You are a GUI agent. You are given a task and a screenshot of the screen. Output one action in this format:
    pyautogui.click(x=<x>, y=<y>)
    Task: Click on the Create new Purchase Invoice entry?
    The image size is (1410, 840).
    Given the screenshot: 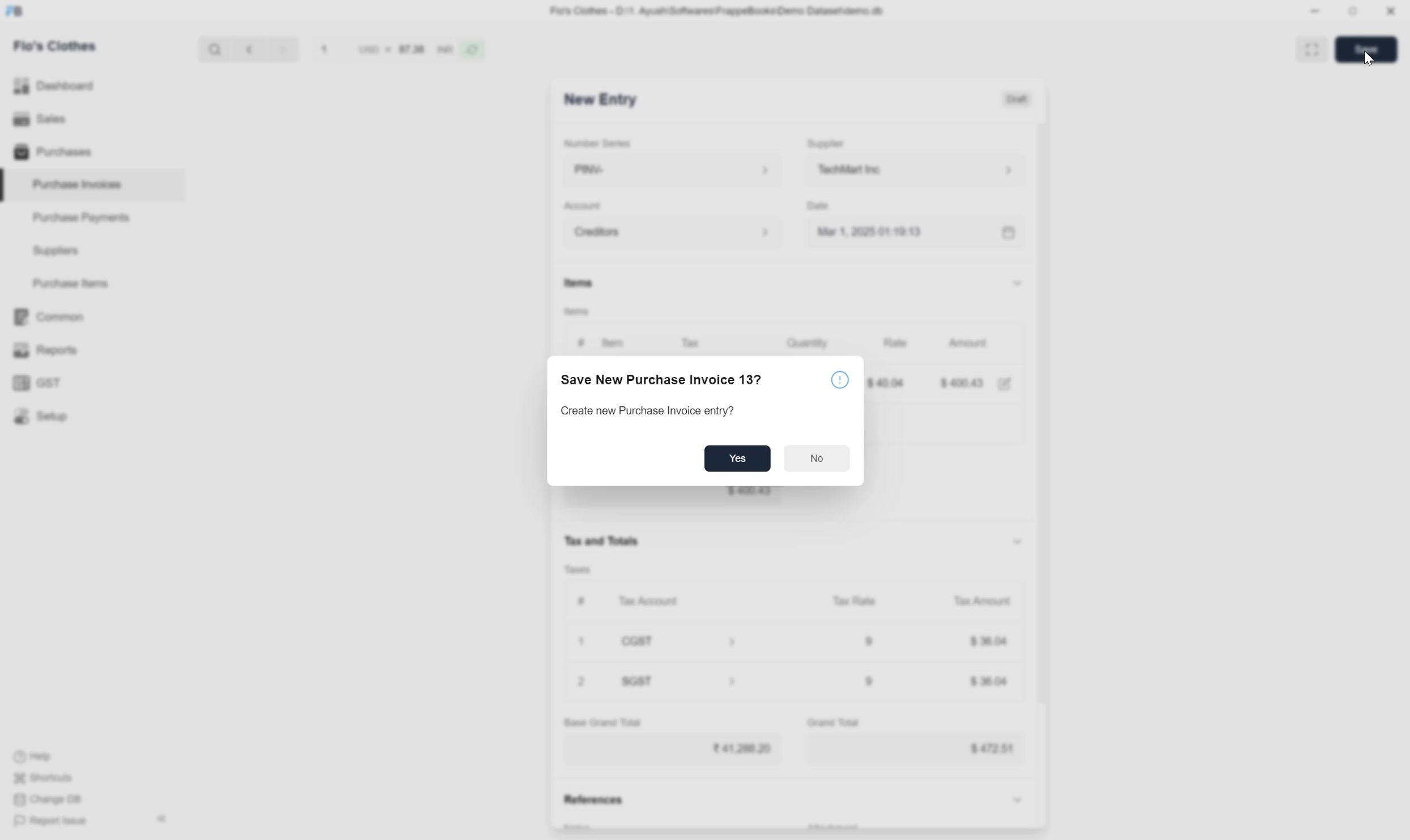 What is the action you would take?
    pyautogui.click(x=649, y=410)
    